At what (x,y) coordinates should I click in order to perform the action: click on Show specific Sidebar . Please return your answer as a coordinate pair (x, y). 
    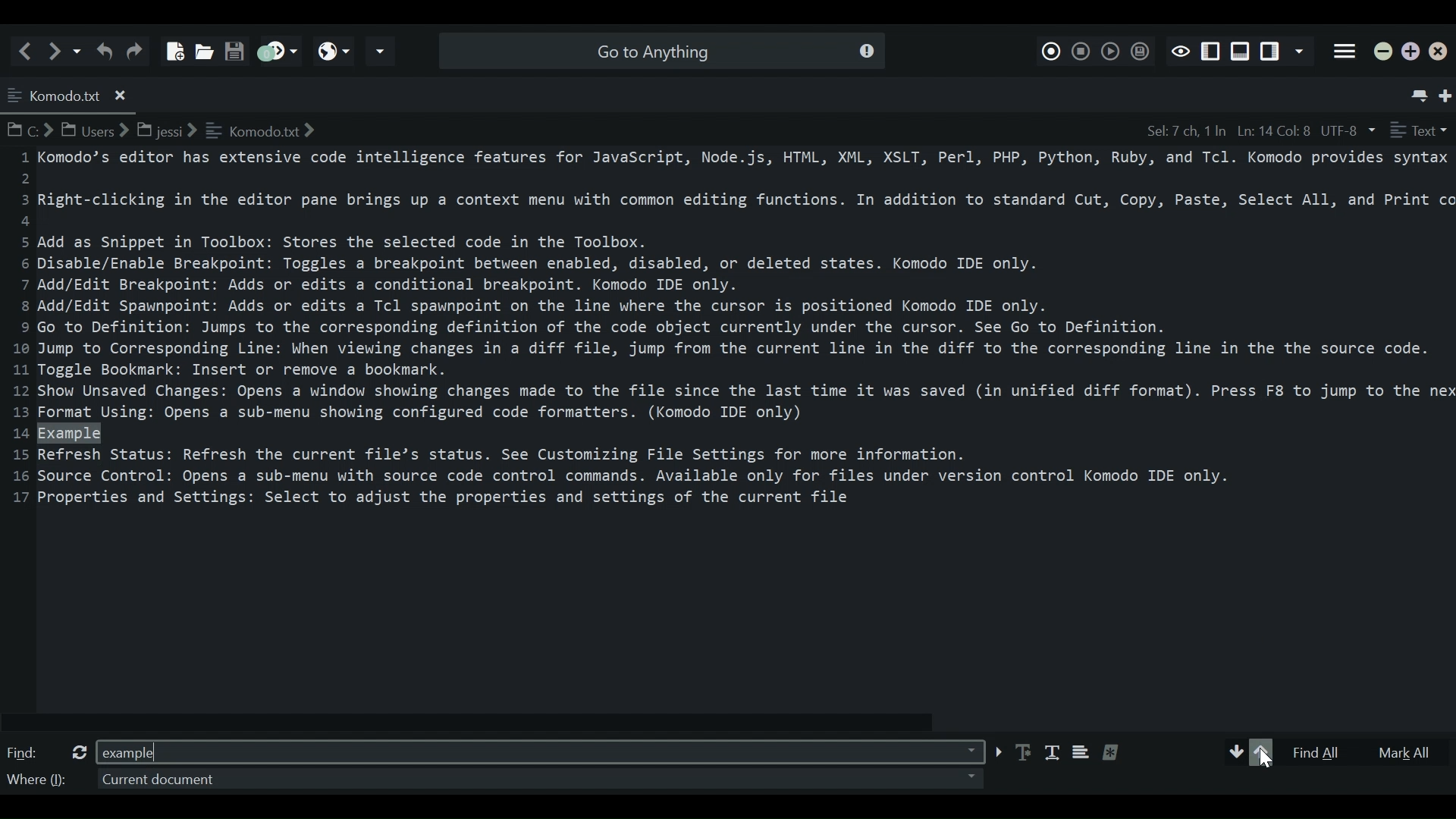
    Looking at the image, I should click on (1302, 52).